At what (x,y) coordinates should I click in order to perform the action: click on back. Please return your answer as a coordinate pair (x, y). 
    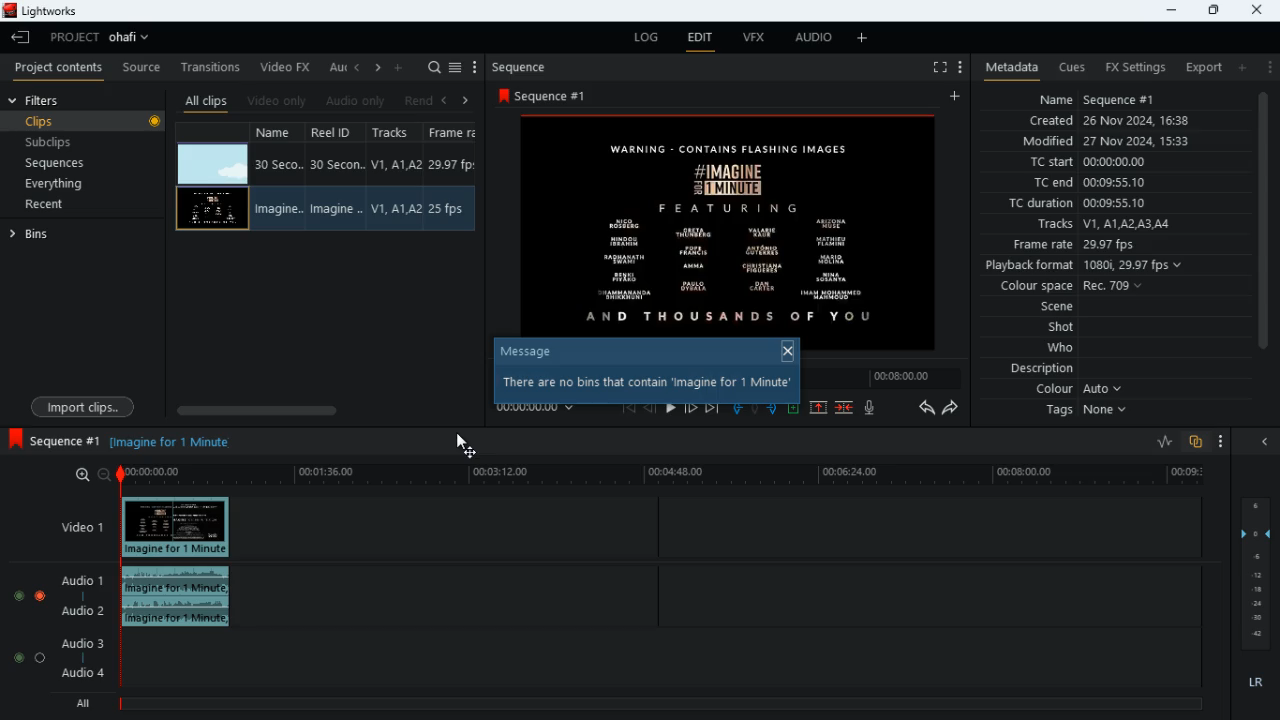
    Looking at the image, I should click on (651, 408).